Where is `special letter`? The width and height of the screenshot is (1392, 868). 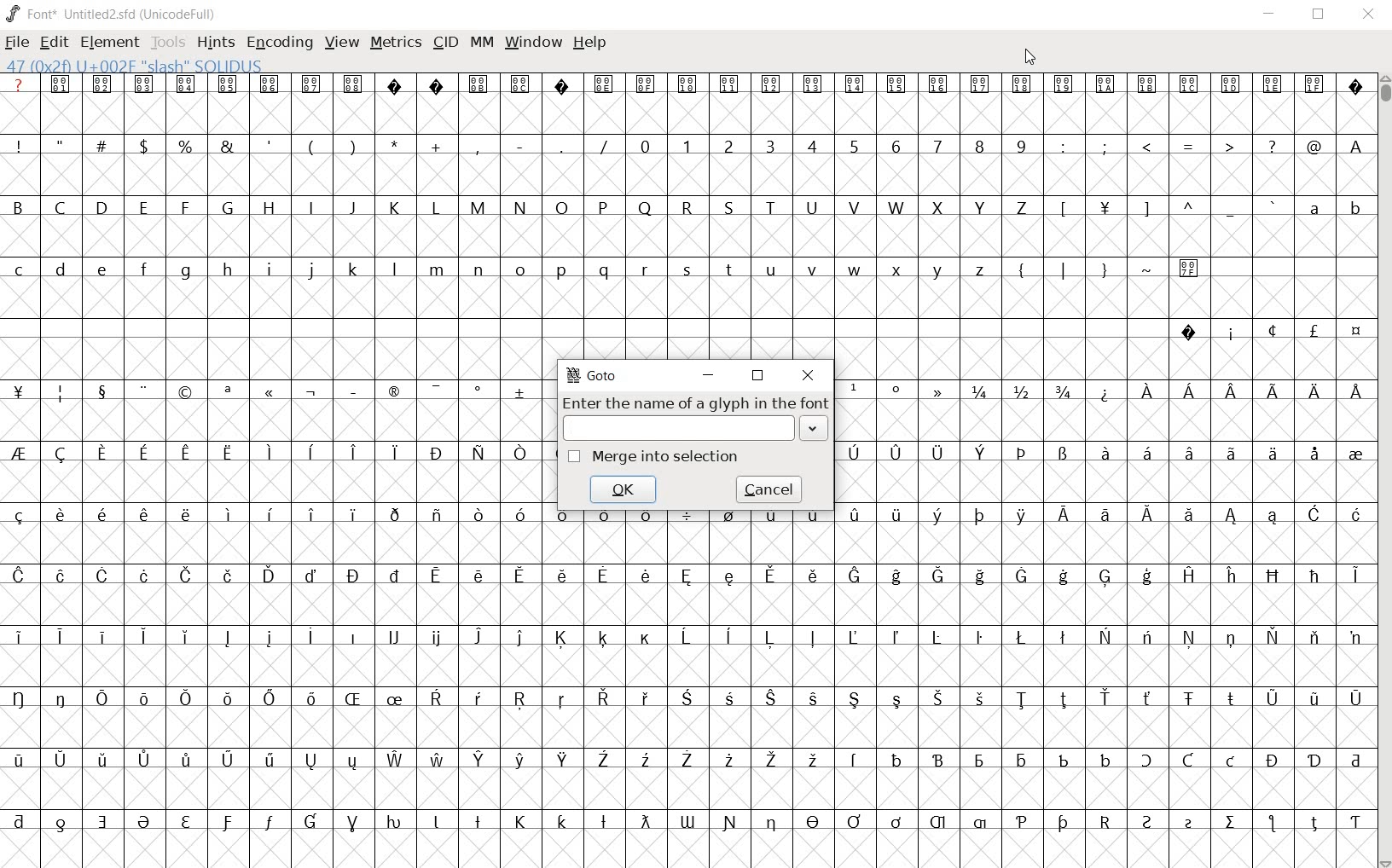
special letter is located at coordinates (1101, 513).